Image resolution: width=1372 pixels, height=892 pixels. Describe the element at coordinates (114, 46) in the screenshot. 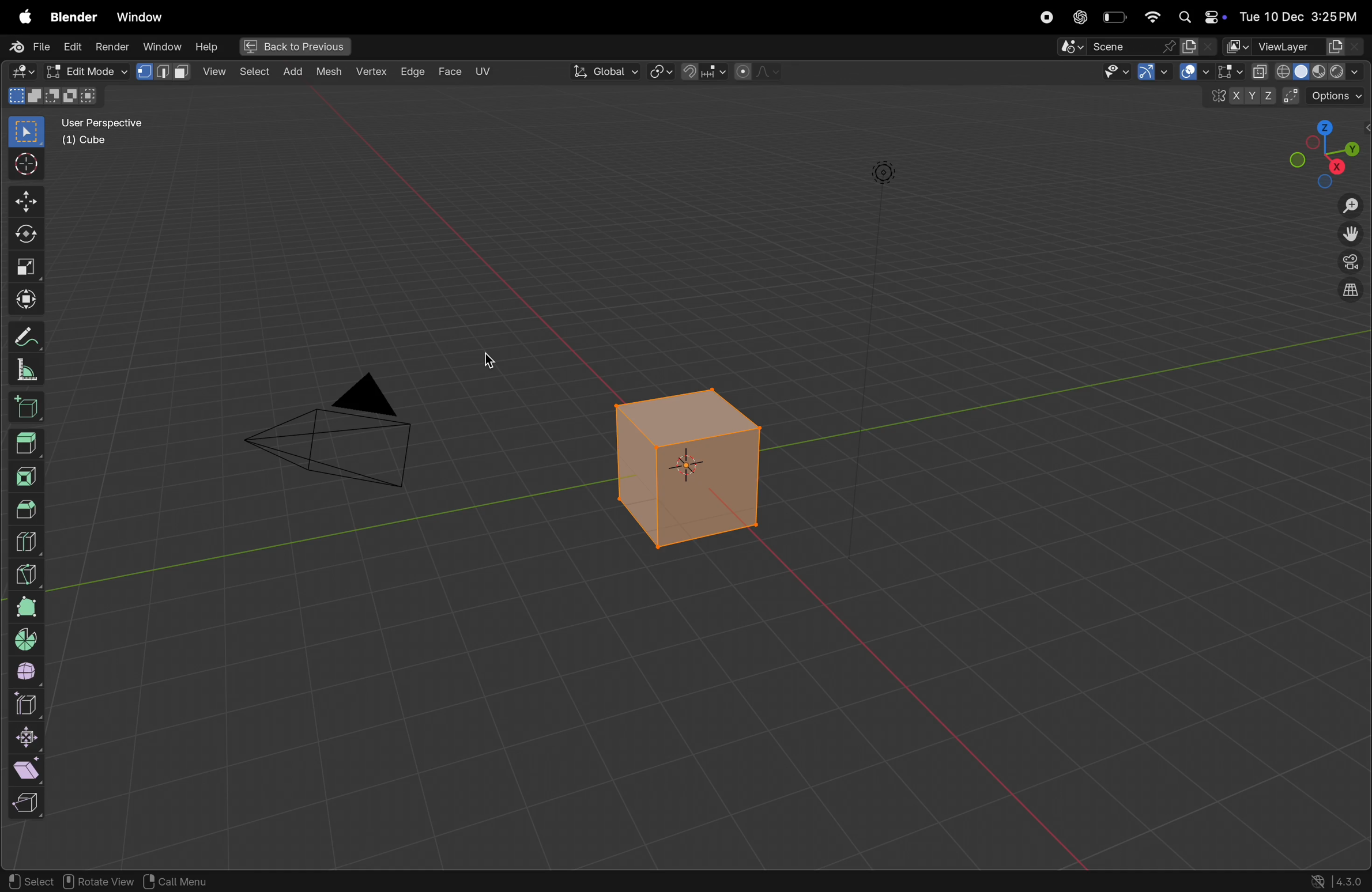

I see `render` at that location.